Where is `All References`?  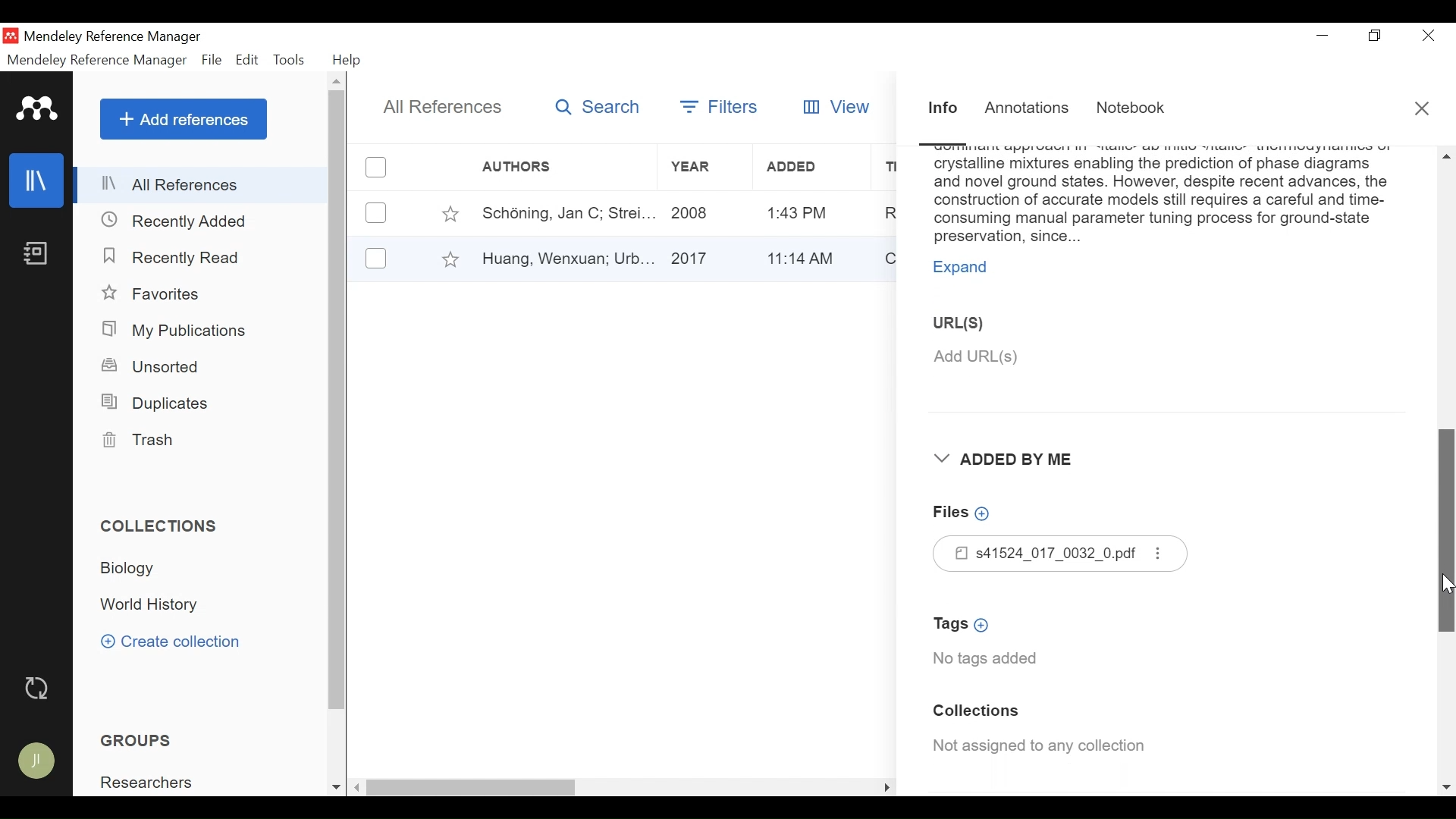
All References is located at coordinates (441, 108).